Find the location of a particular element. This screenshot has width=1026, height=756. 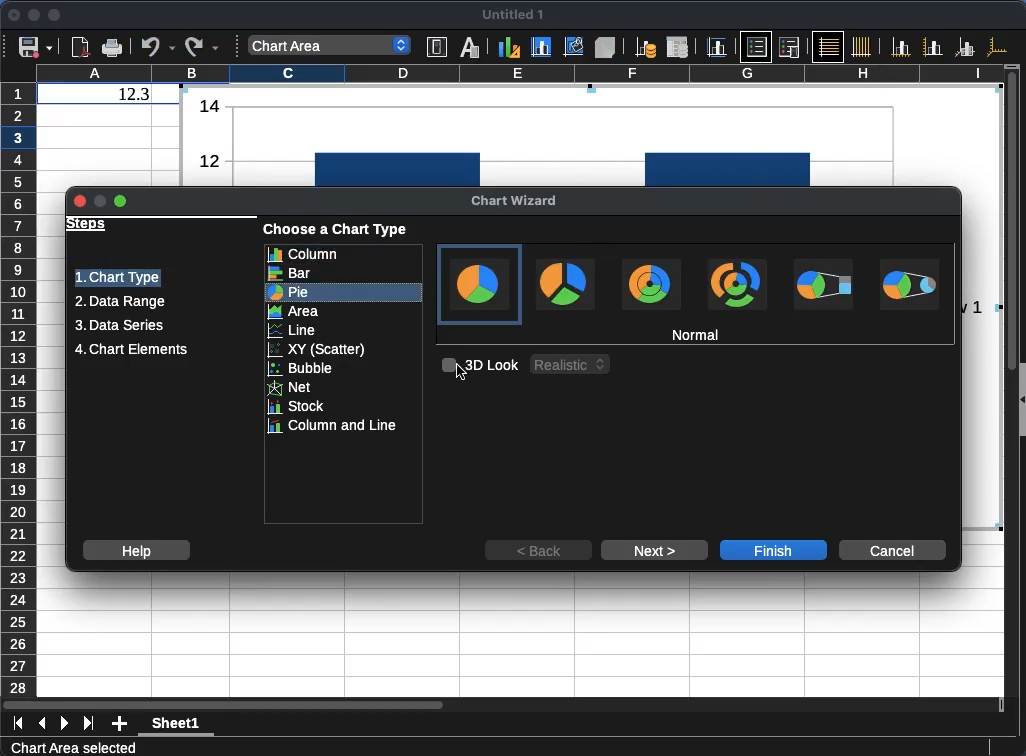

X axis is located at coordinates (901, 47).